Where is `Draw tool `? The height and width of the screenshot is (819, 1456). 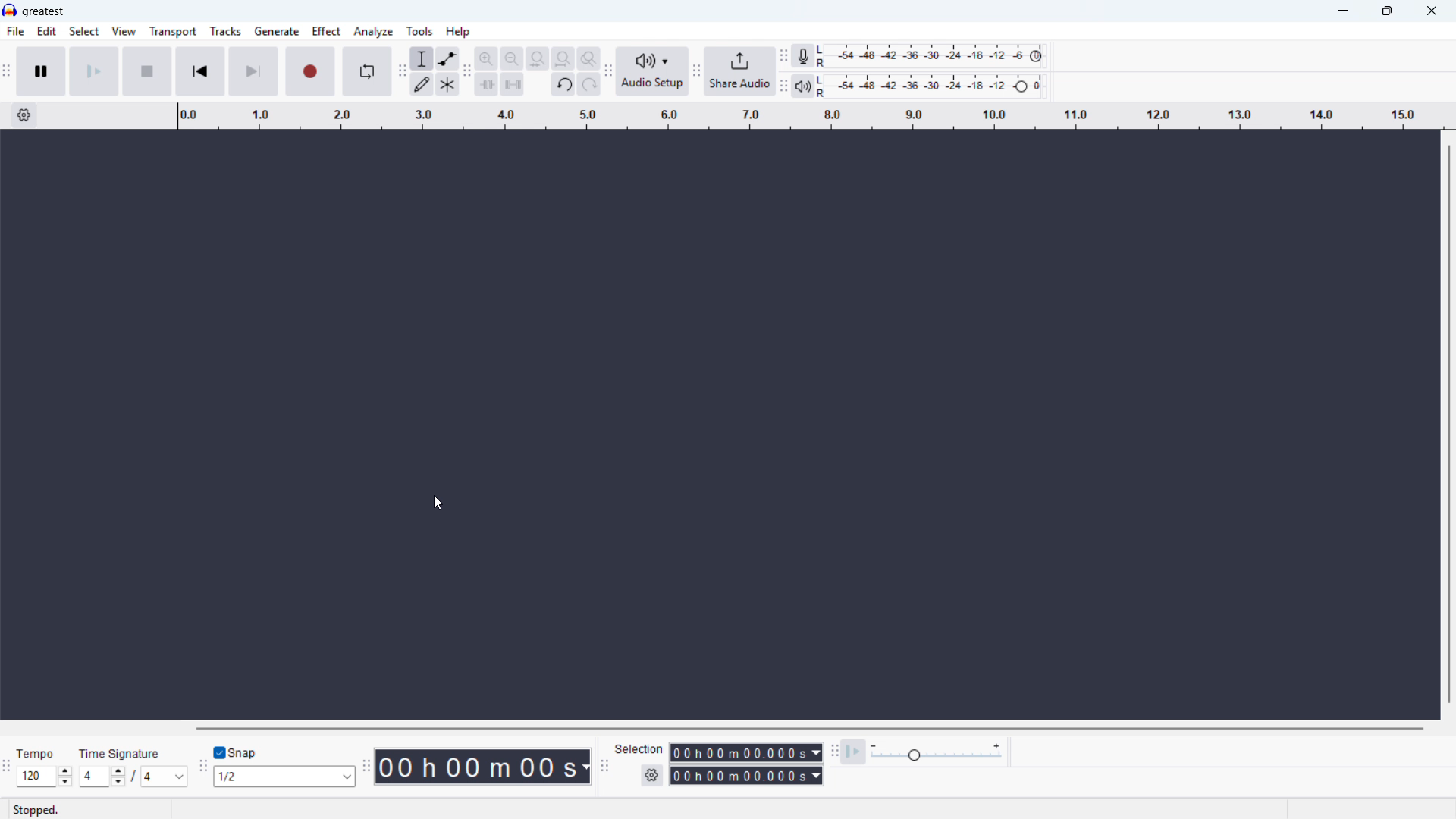 Draw tool  is located at coordinates (421, 84).